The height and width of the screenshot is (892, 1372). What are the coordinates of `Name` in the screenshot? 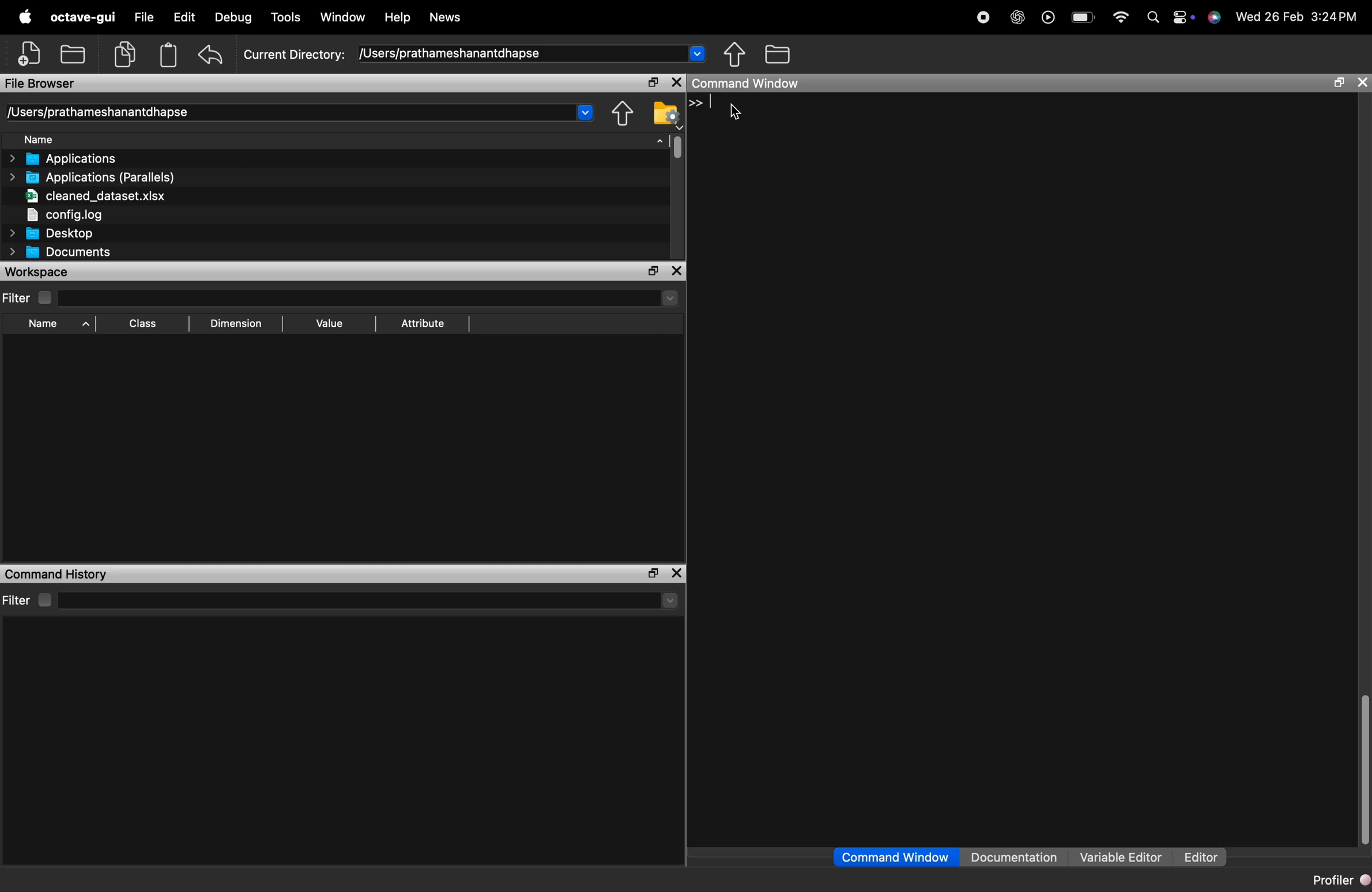 It's located at (343, 139).